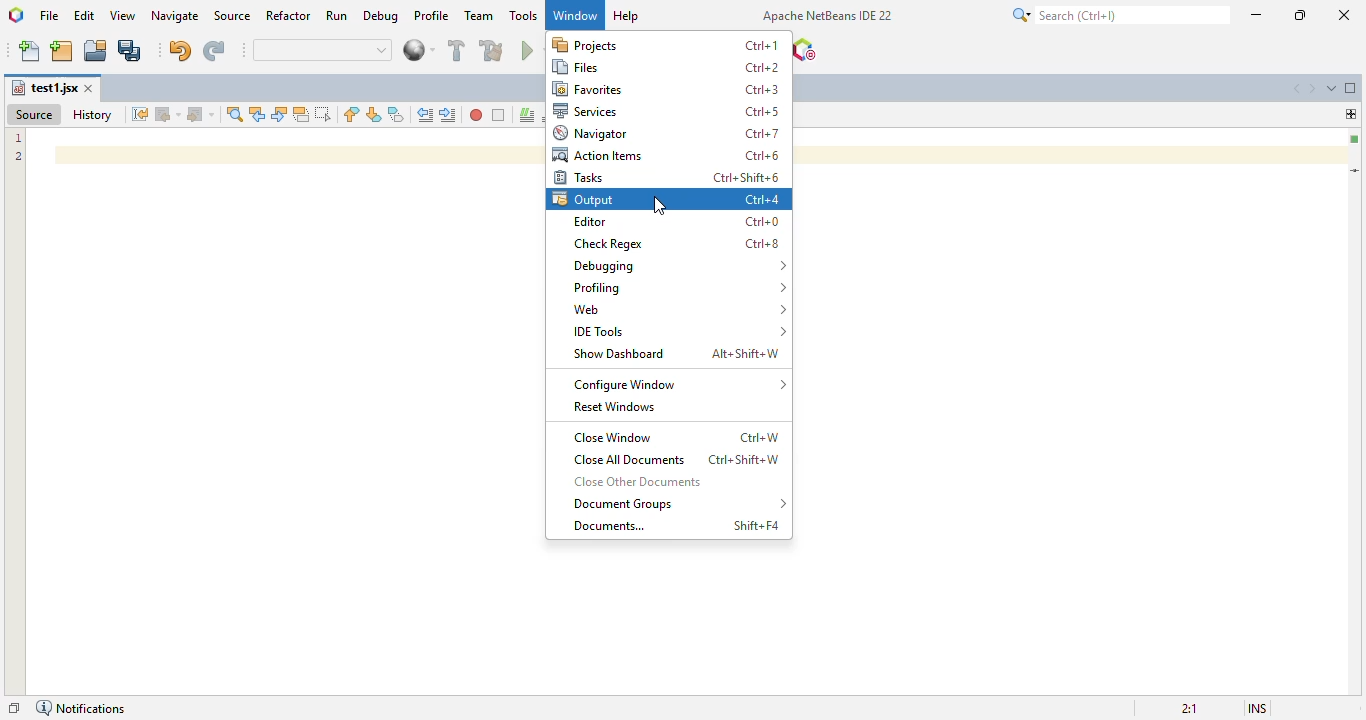 The image size is (1366, 720). I want to click on cursor, so click(659, 205).